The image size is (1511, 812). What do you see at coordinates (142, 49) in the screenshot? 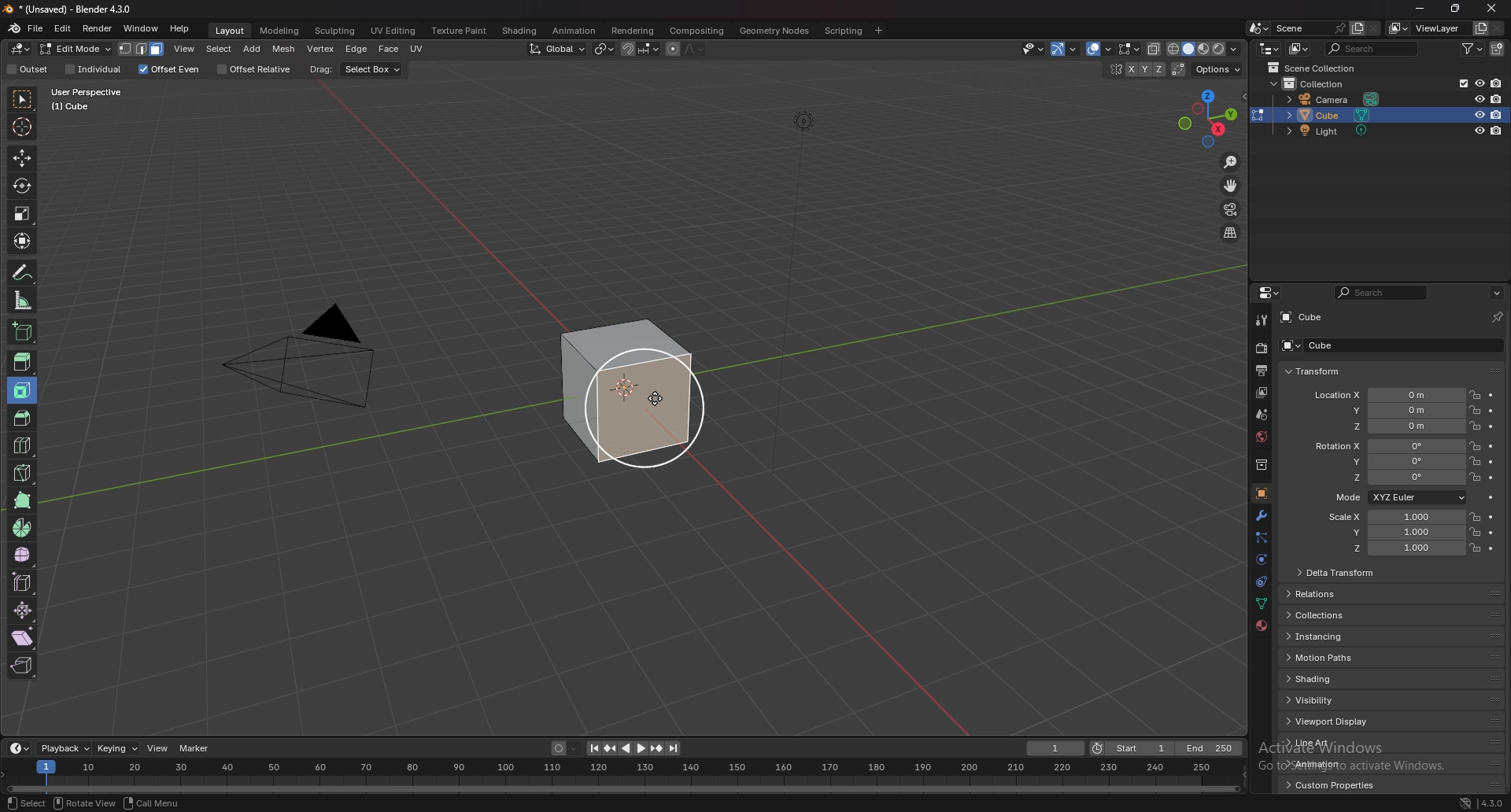
I see `select mode` at bounding box center [142, 49].